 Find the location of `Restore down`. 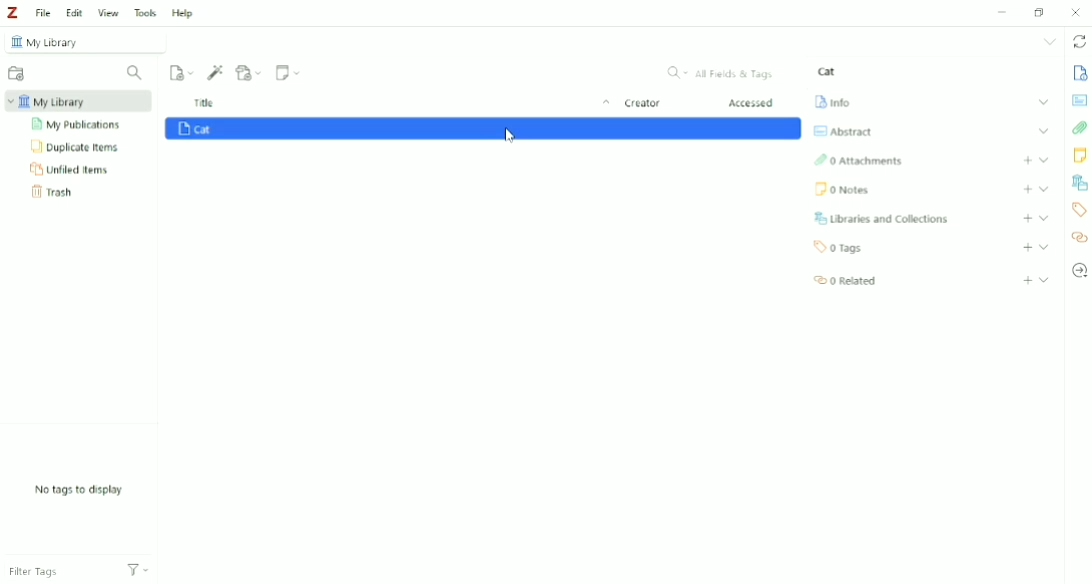

Restore down is located at coordinates (1042, 11).